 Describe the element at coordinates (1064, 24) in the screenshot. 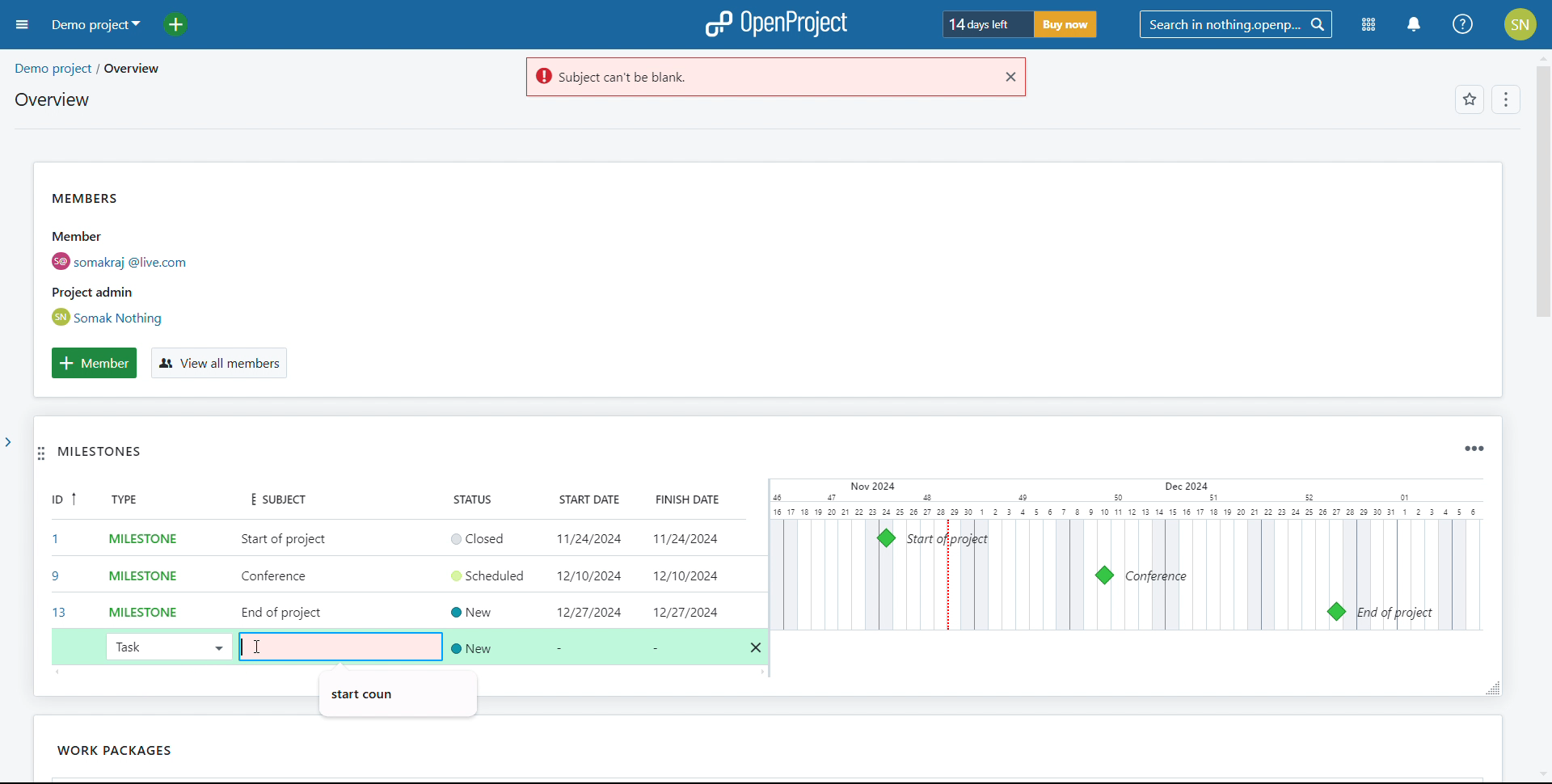

I see `buy now` at that location.